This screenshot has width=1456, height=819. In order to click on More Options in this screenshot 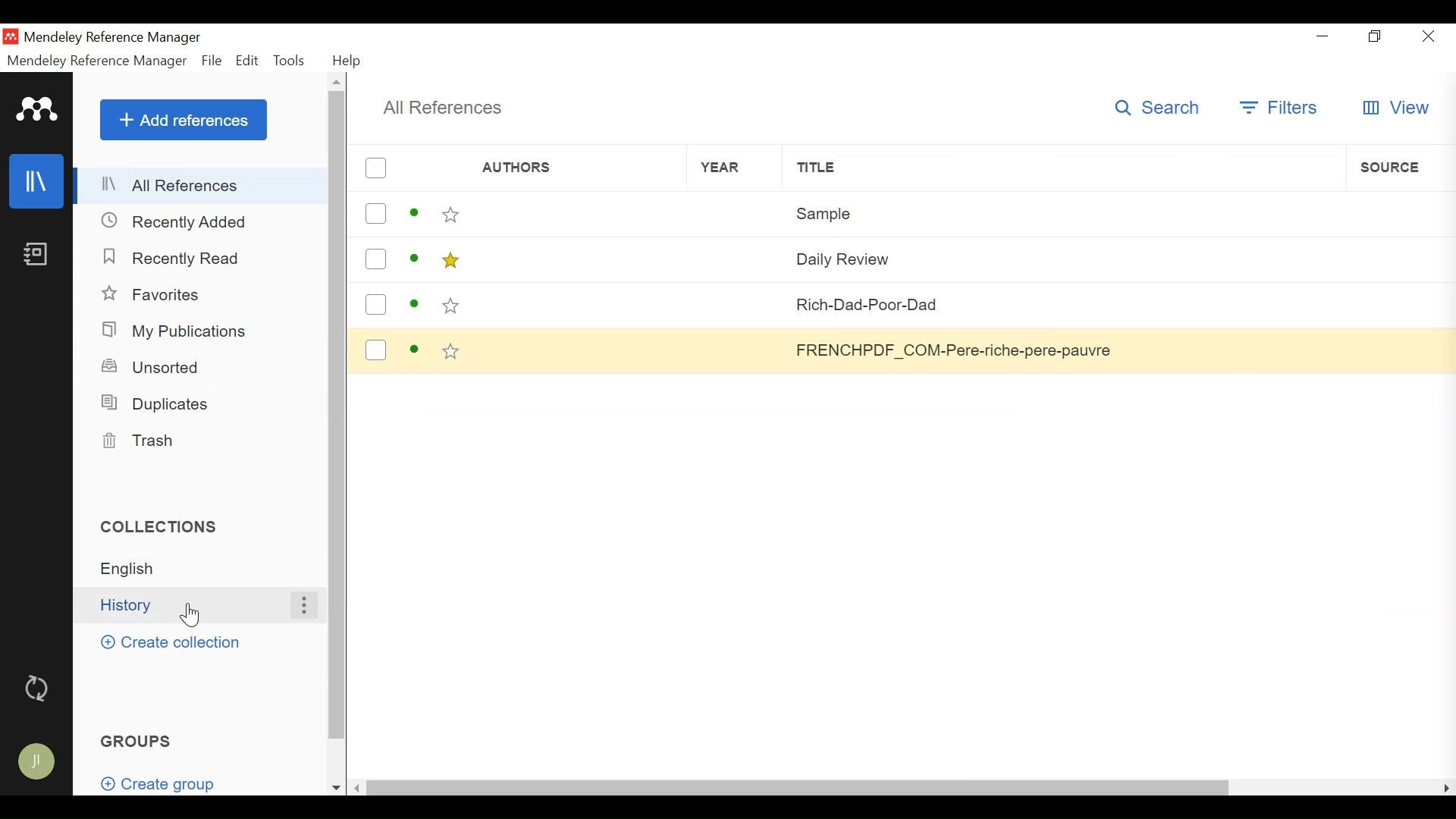, I will do `click(303, 605)`.